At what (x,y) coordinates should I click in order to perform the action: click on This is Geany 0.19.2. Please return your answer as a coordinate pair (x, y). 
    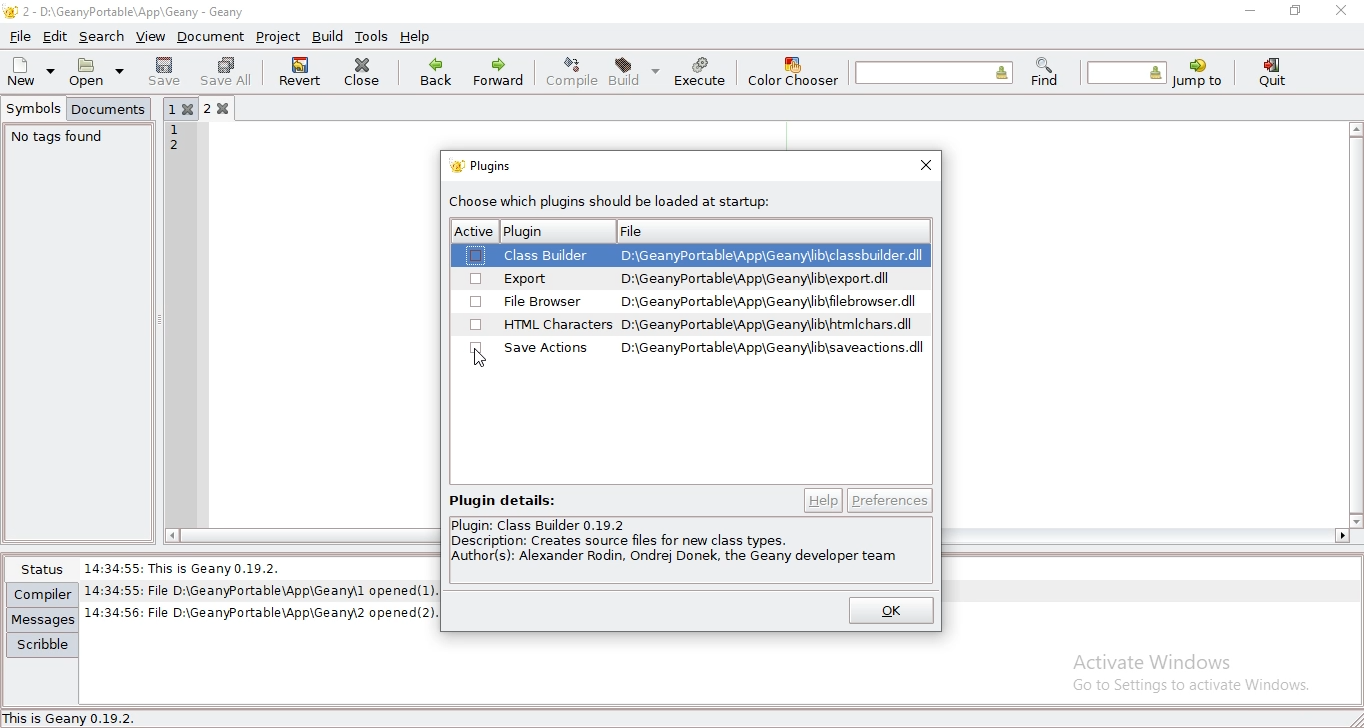
    Looking at the image, I should click on (76, 718).